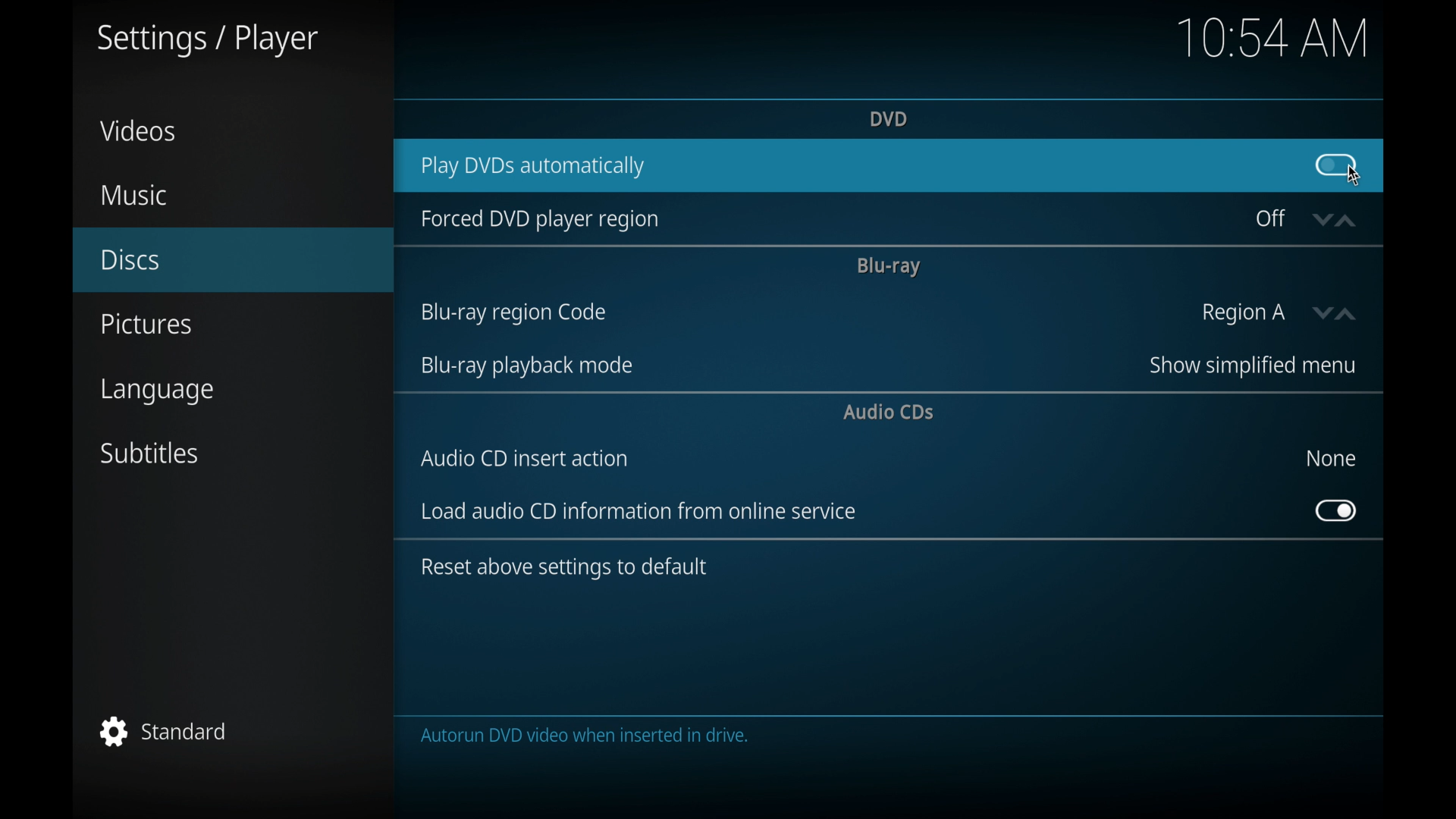 The image size is (1456, 819). What do you see at coordinates (538, 219) in the screenshot?
I see `forced dvd player region` at bounding box center [538, 219].